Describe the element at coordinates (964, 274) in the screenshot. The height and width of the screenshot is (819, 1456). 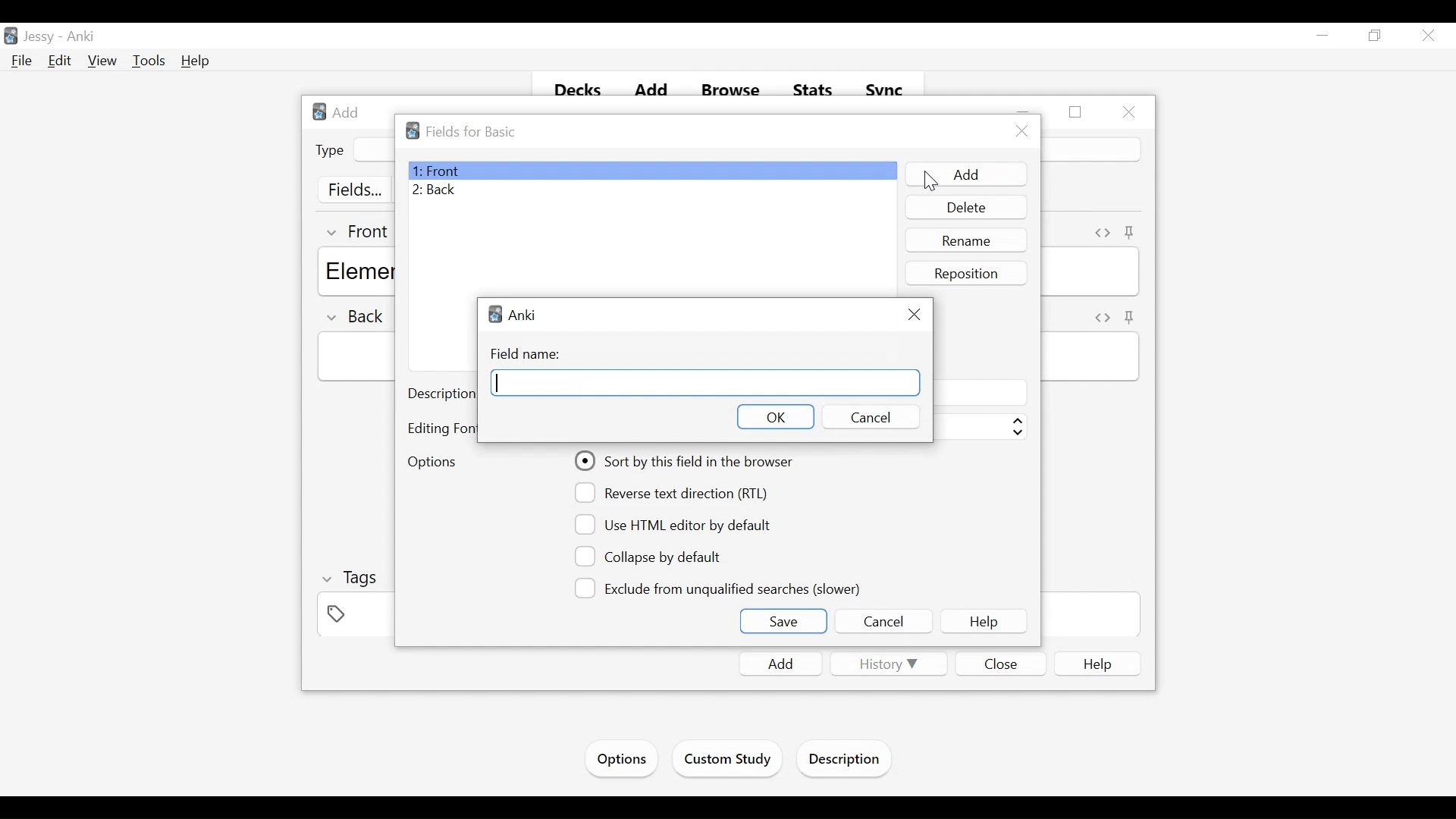
I see `Reposition` at that location.